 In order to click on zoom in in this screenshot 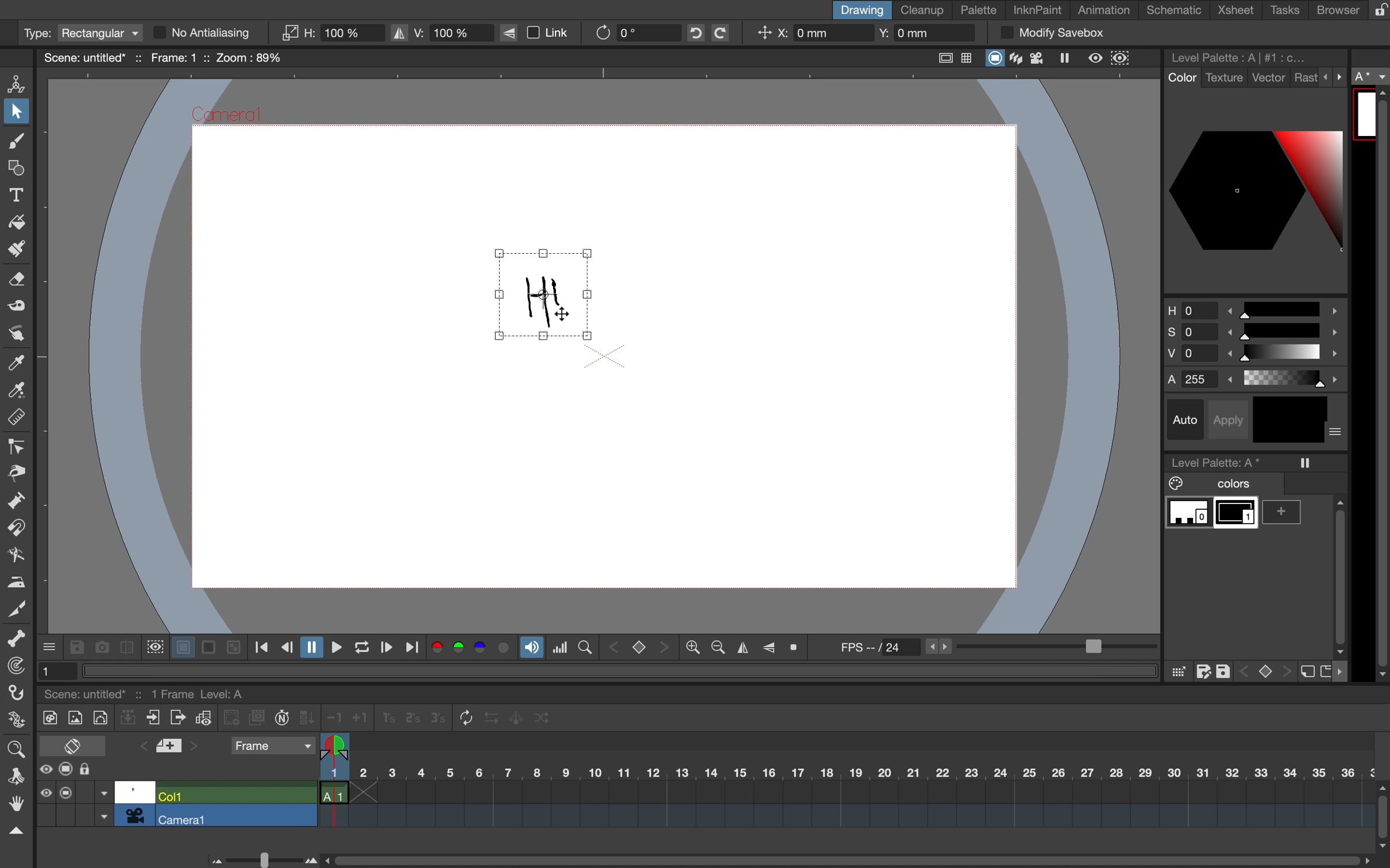, I will do `click(715, 648)`.